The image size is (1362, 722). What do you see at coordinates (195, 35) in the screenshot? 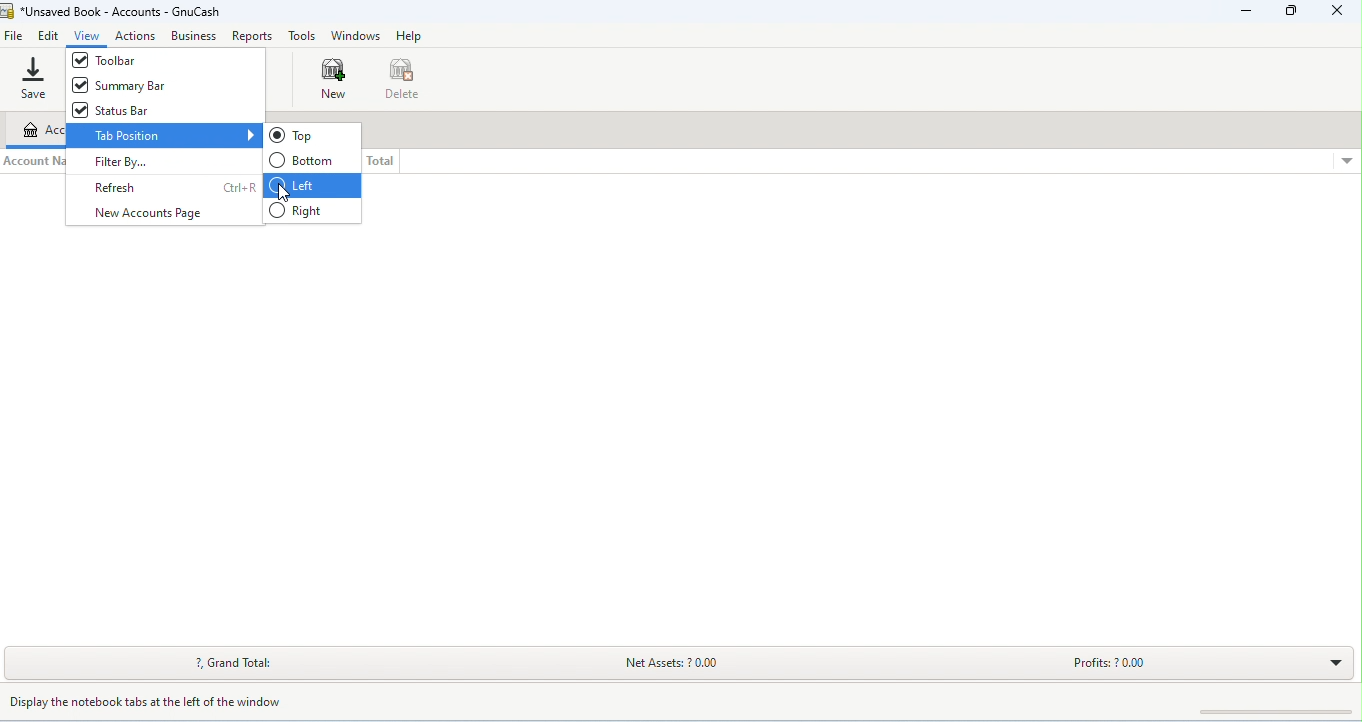
I see `business` at bounding box center [195, 35].